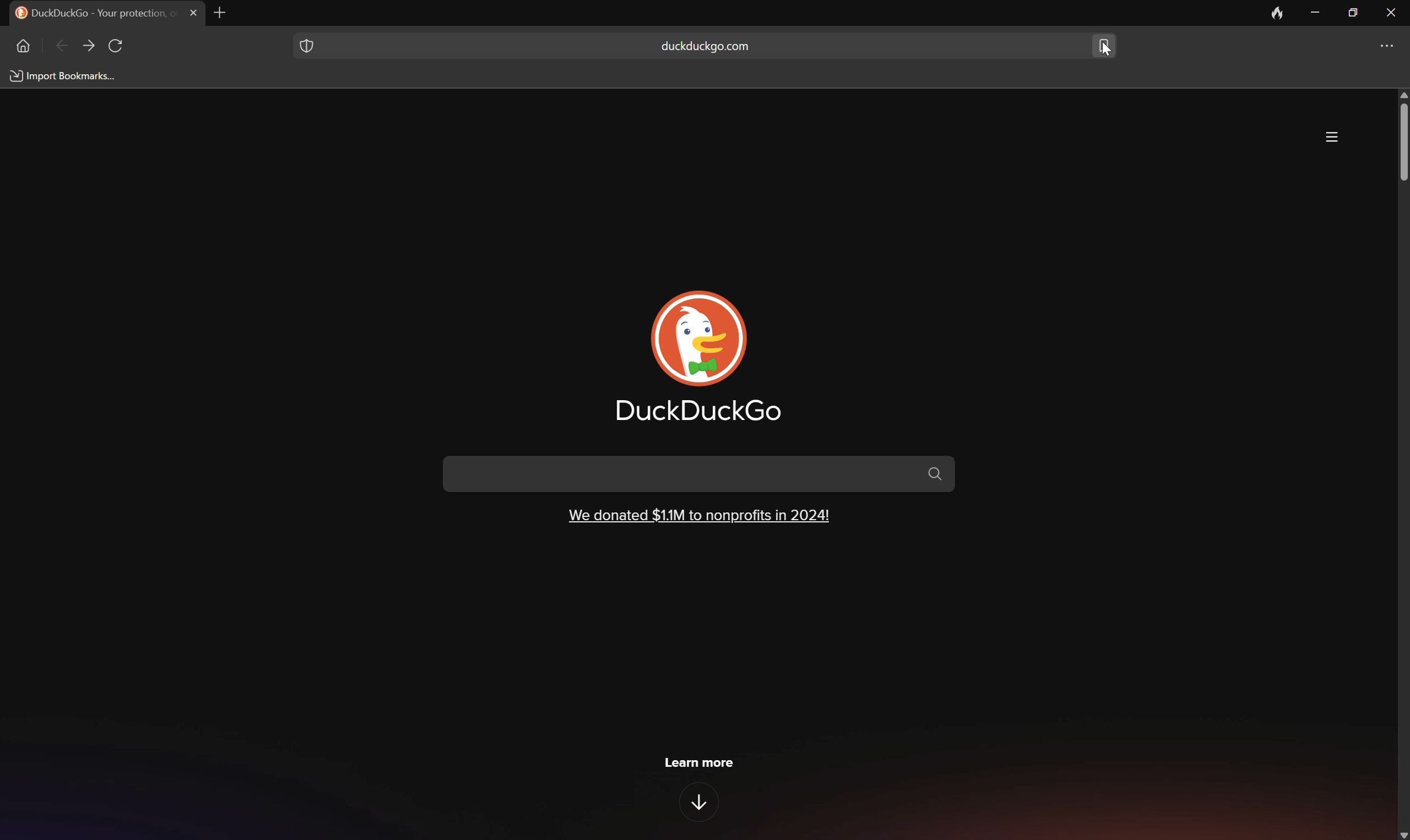 This screenshot has width=1410, height=840. I want to click on Minimize, so click(1318, 12).